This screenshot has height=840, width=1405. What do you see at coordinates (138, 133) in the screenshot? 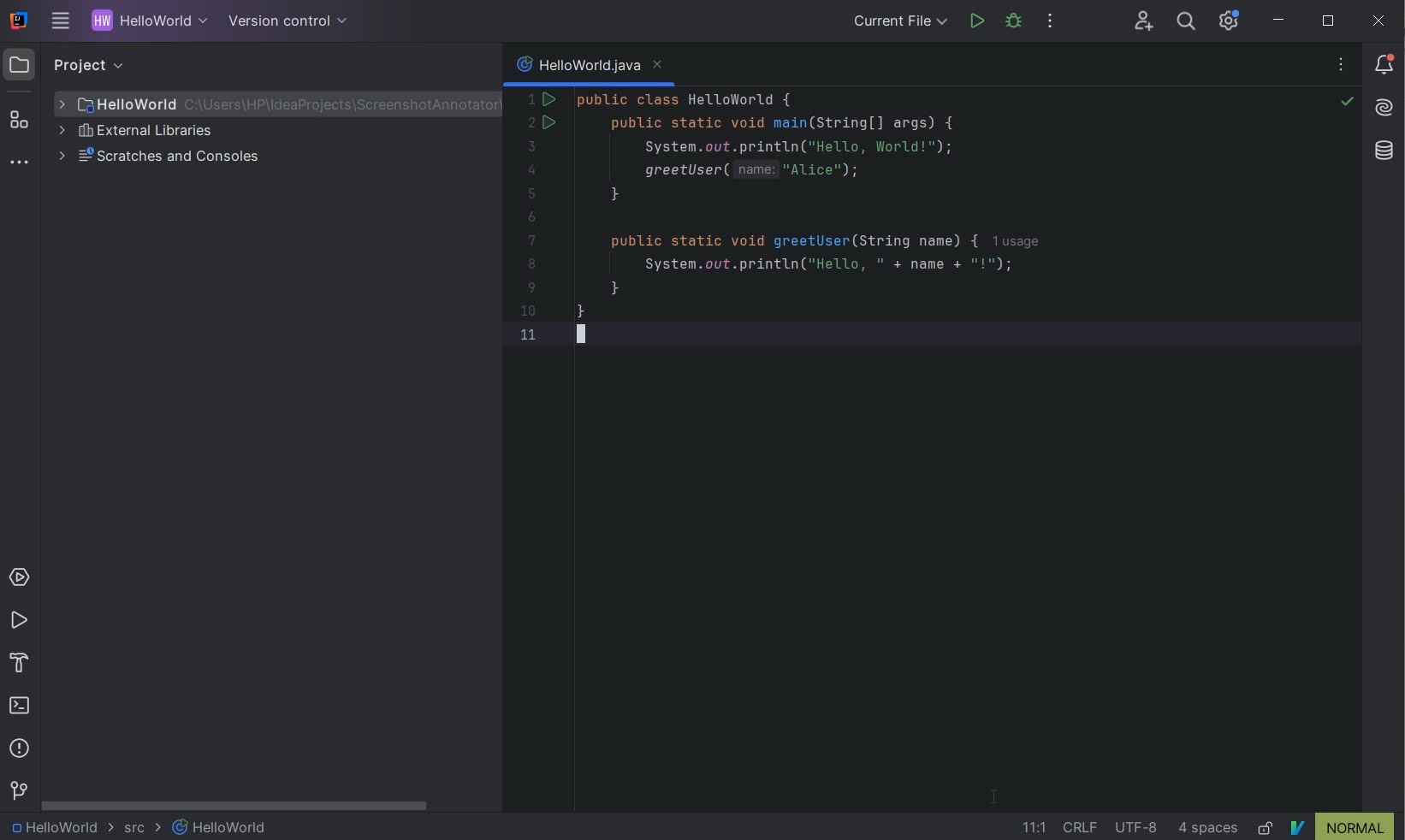
I see `EXTERNAL LIBRARIES` at bounding box center [138, 133].